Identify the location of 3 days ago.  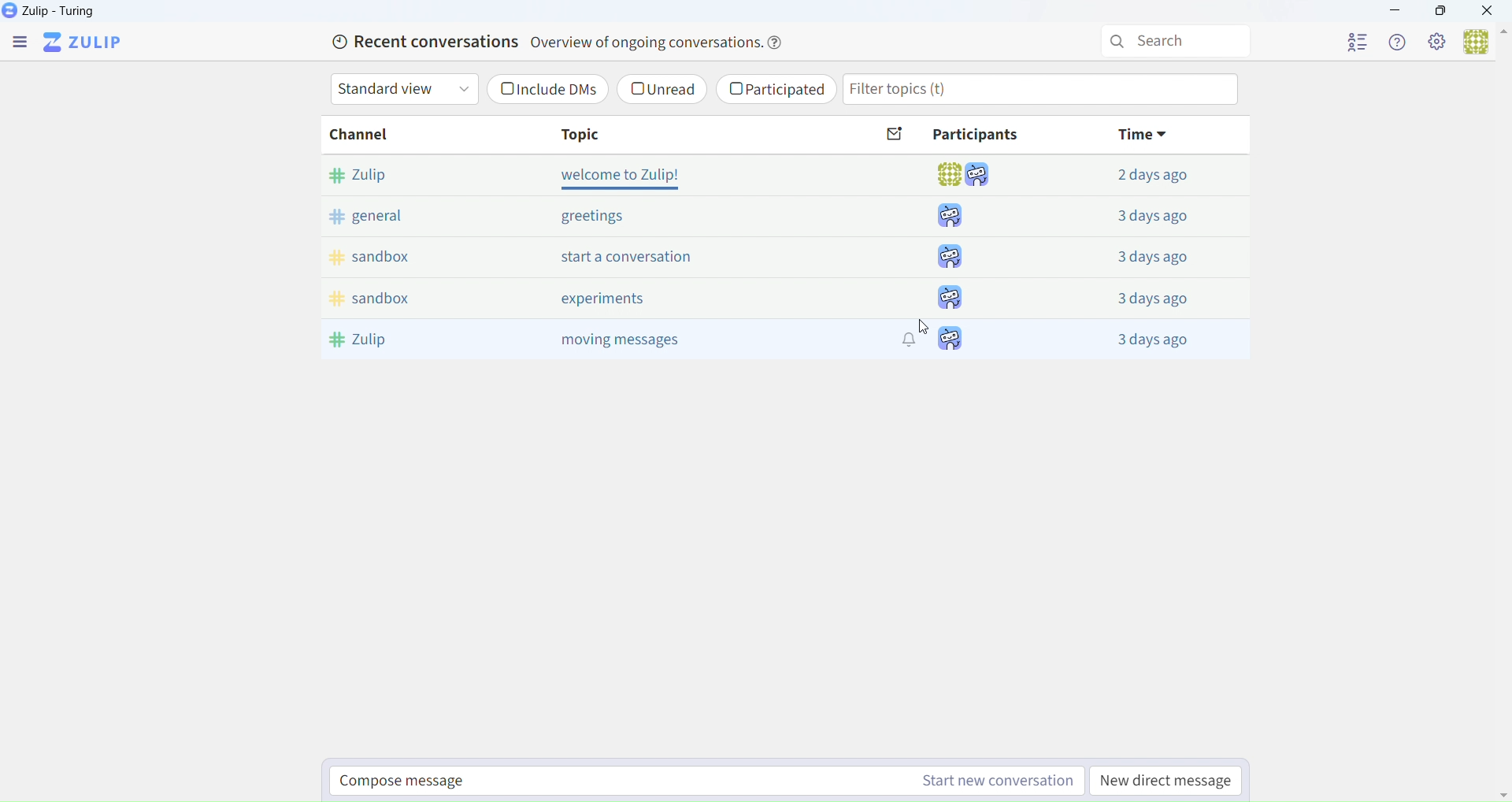
(1163, 218).